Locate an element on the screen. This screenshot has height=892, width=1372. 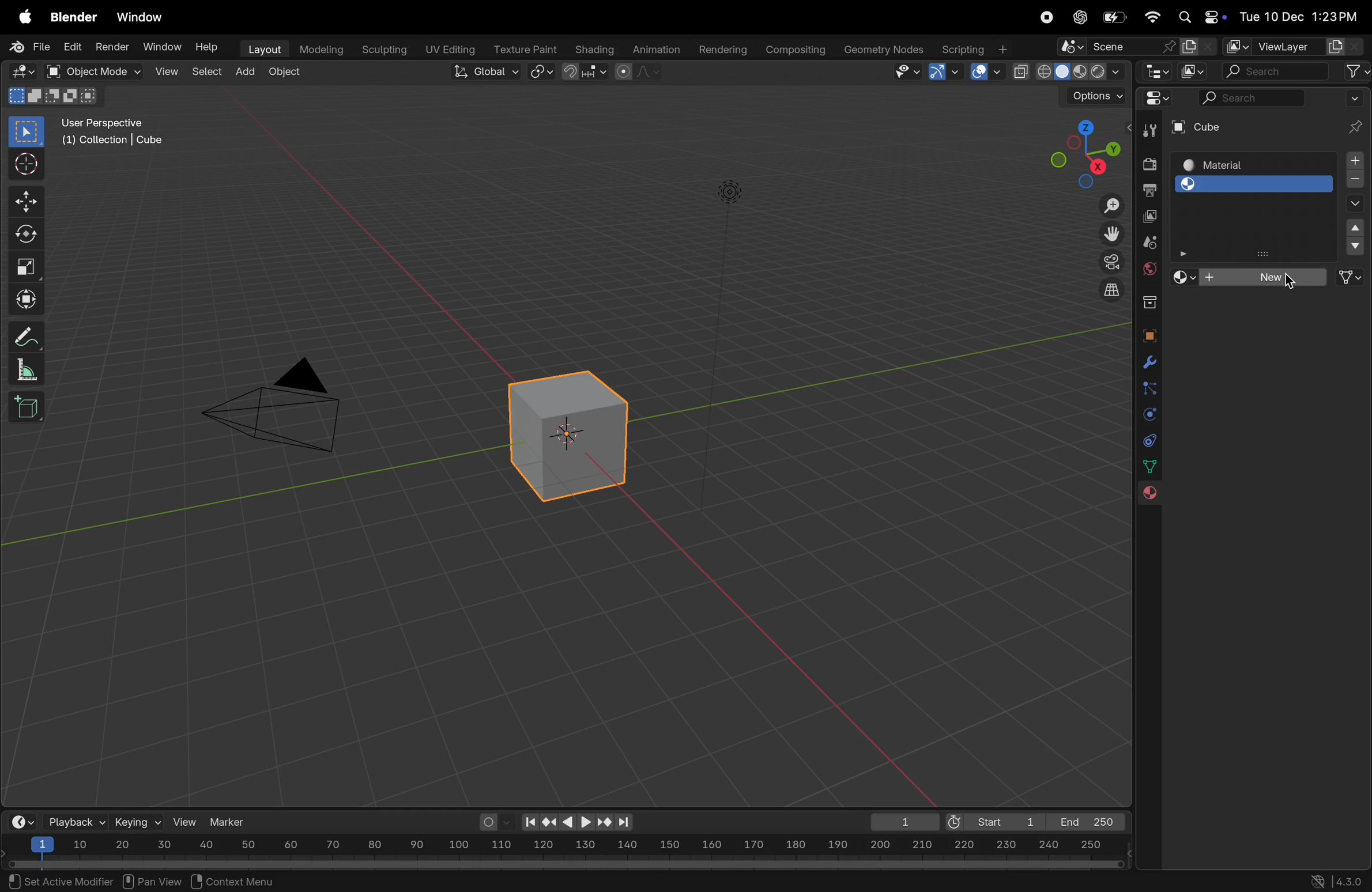
end 250 is located at coordinates (1084, 822).